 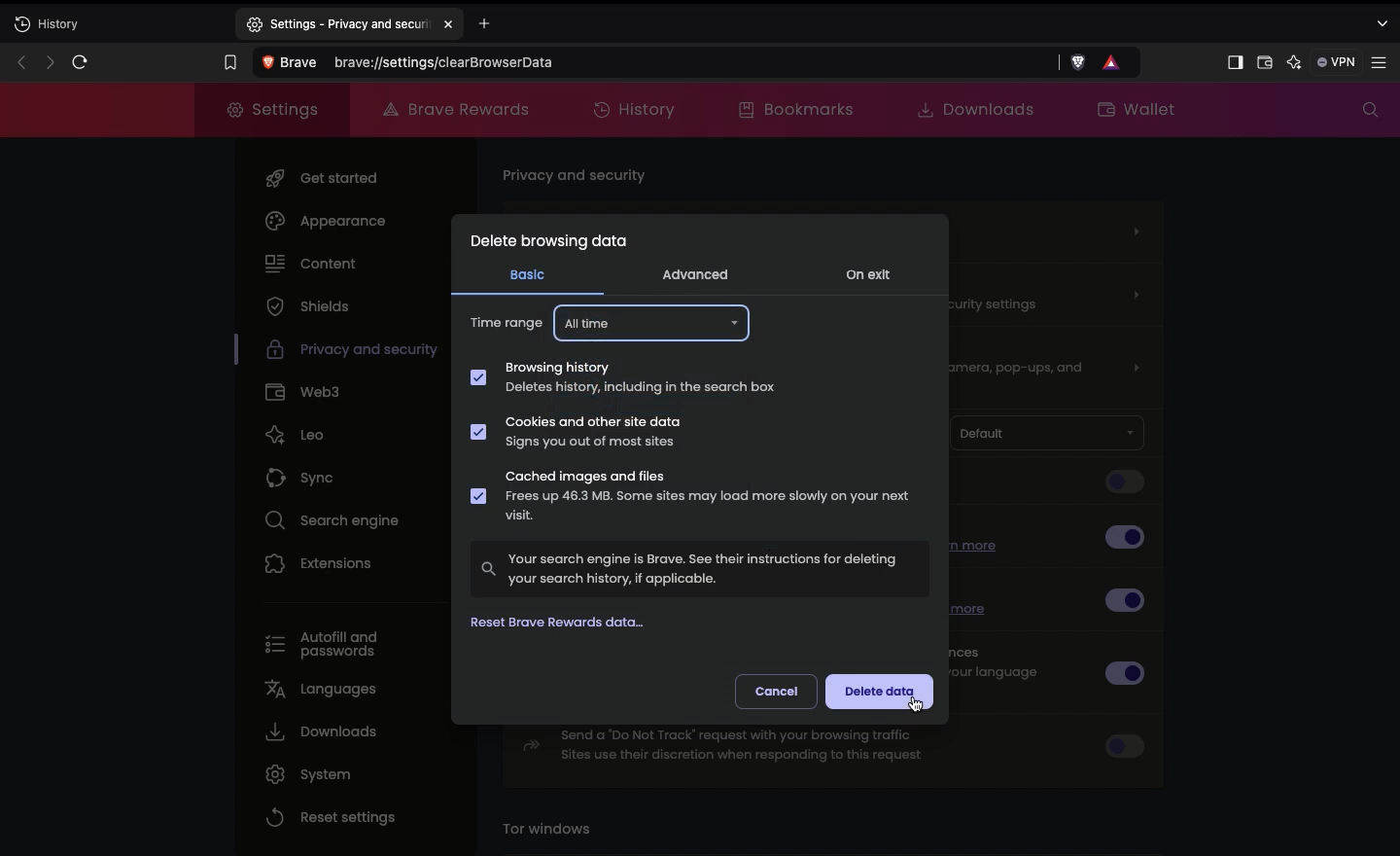 What do you see at coordinates (1263, 64) in the screenshot?
I see `Wallet` at bounding box center [1263, 64].